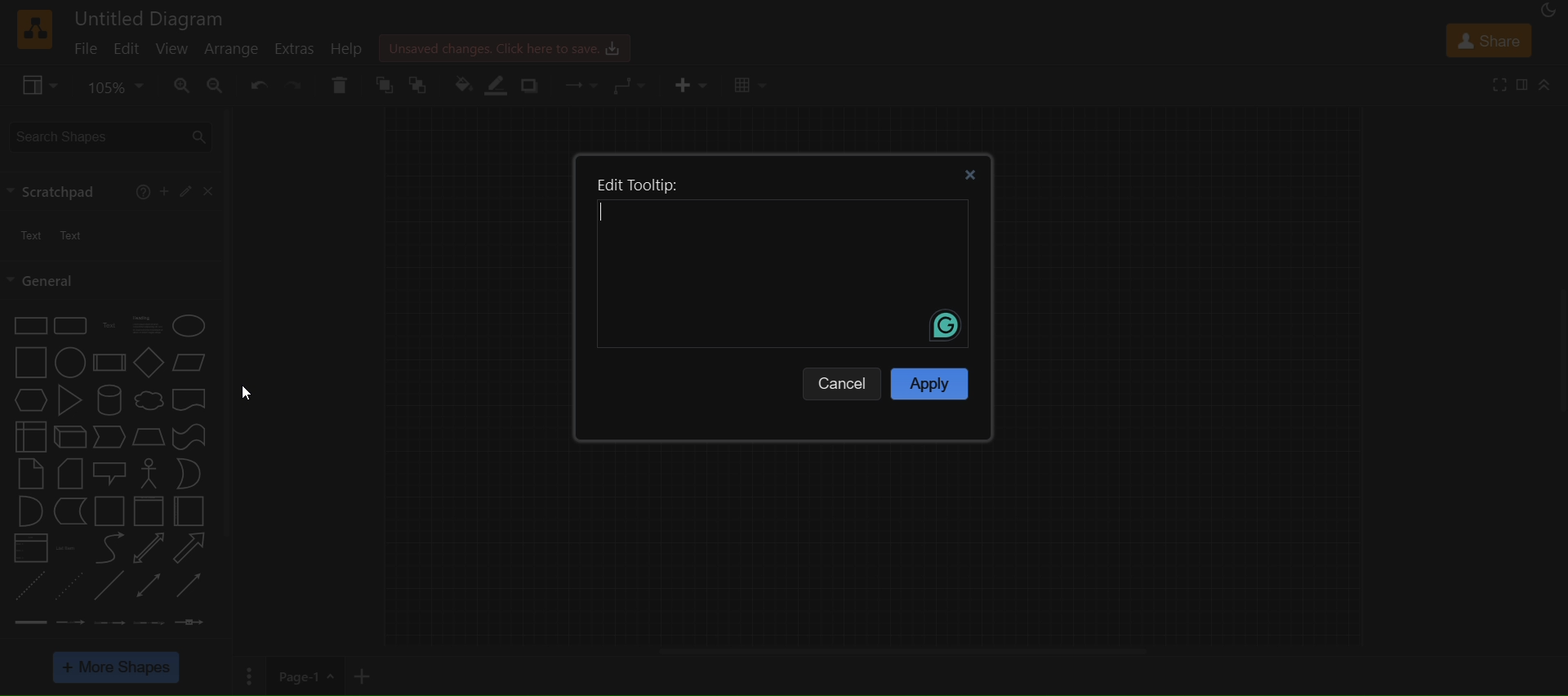 This screenshot has width=1568, height=696. I want to click on collapase/expand, so click(1545, 84).